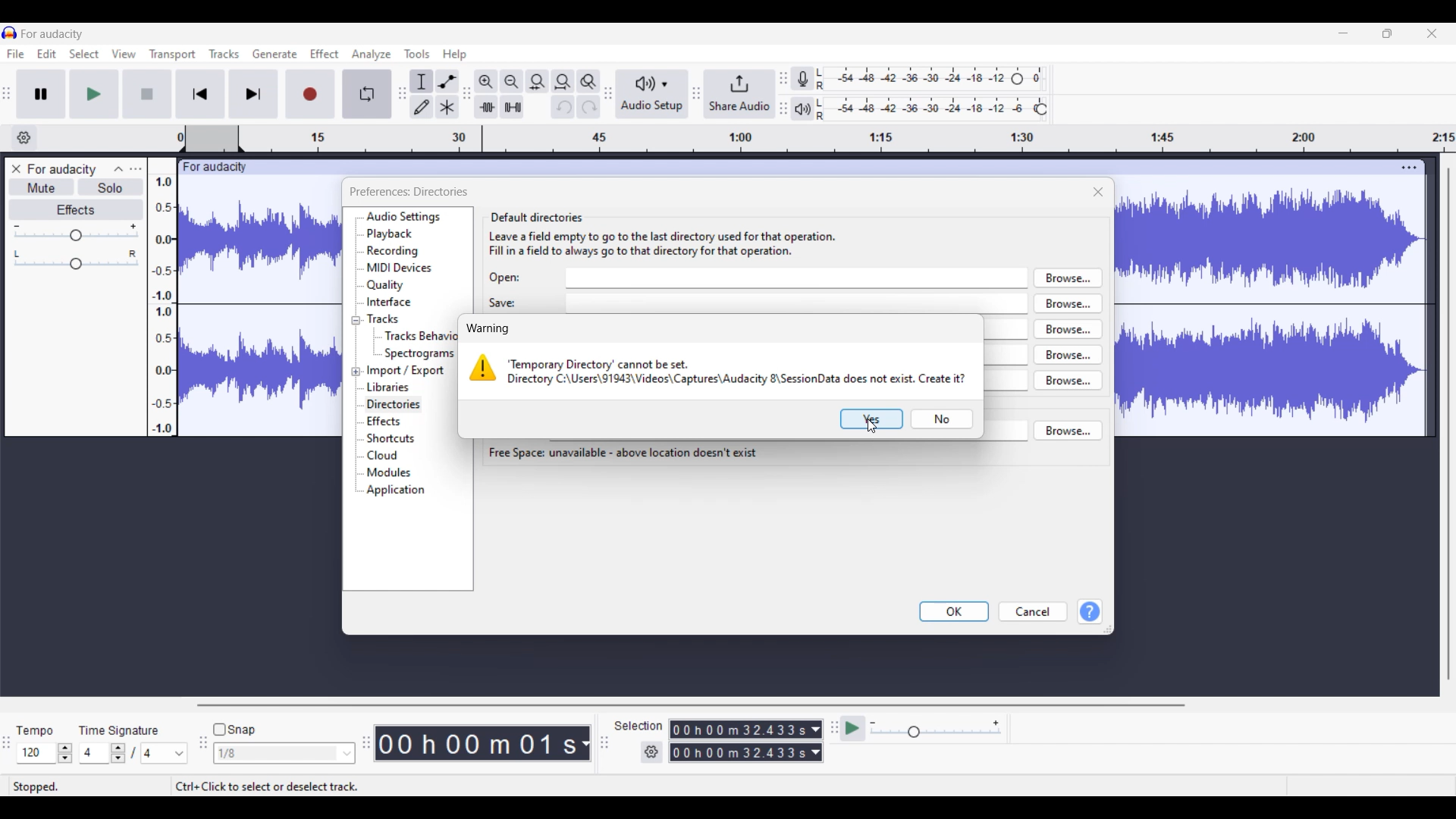 Image resolution: width=1456 pixels, height=819 pixels. What do you see at coordinates (1034, 612) in the screenshot?
I see `Cancel` at bounding box center [1034, 612].